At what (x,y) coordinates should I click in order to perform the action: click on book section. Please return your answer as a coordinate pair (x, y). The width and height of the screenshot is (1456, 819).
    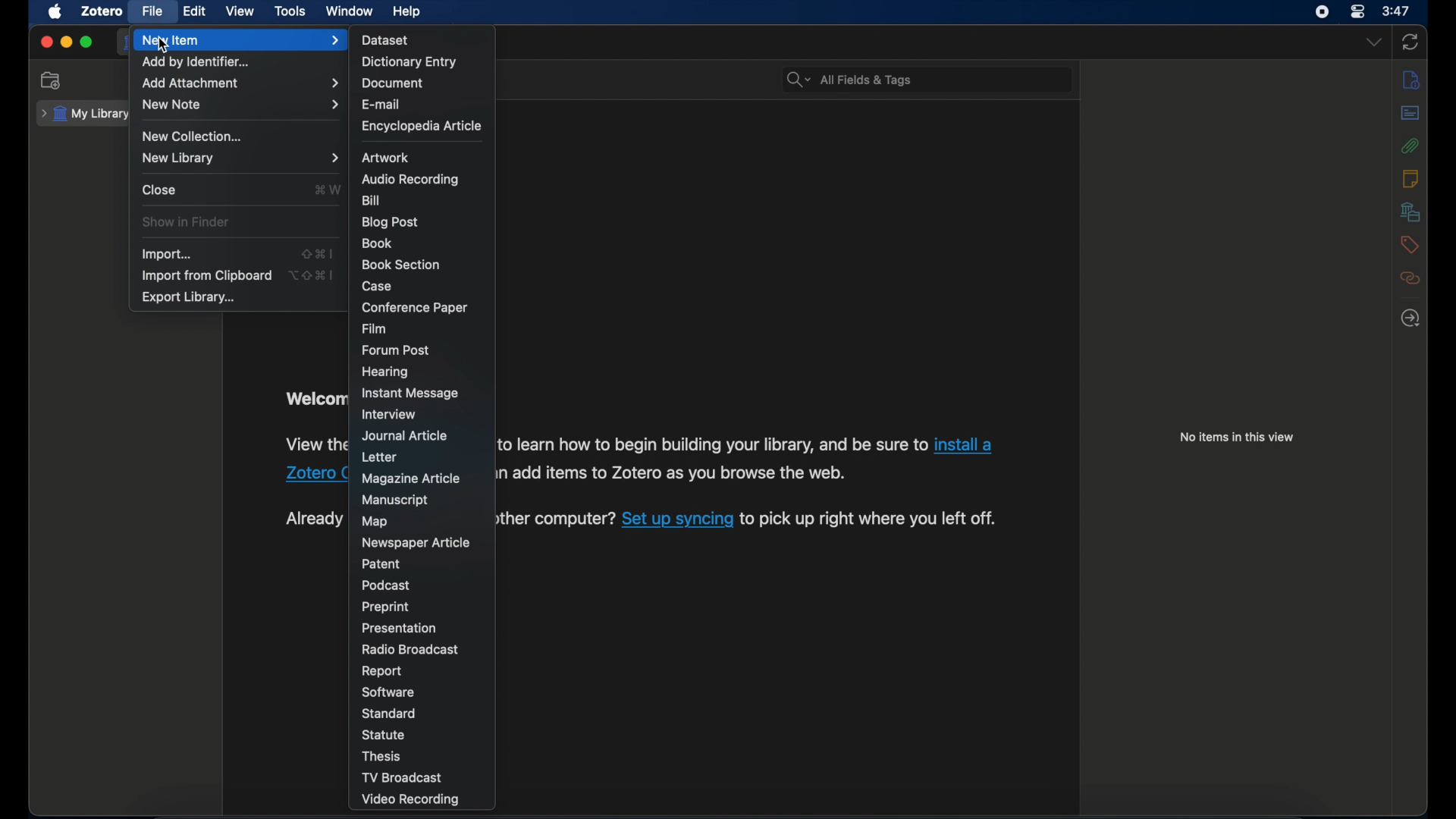
    Looking at the image, I should click on (402, 265).